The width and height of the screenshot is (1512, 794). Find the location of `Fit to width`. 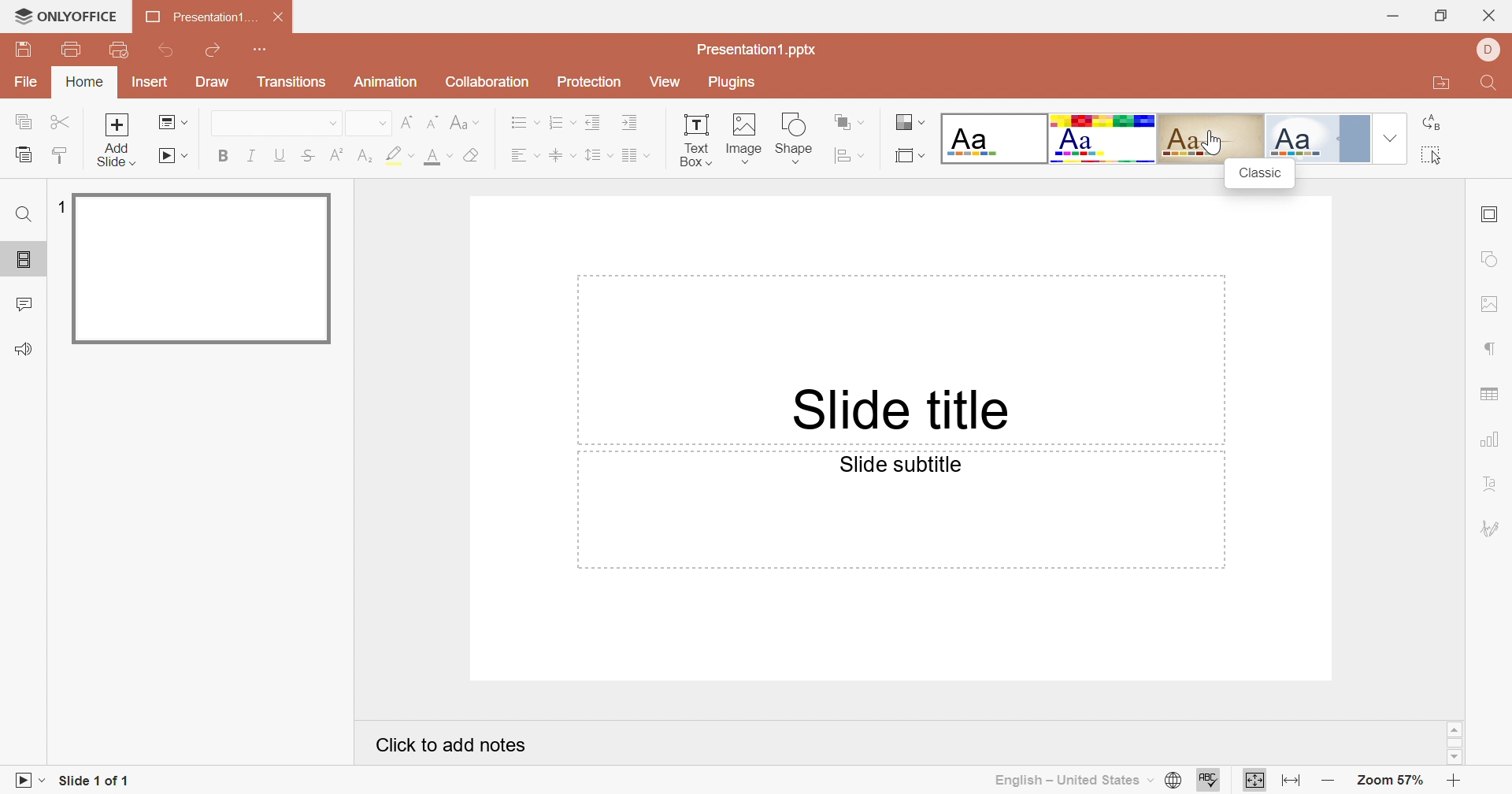

Fit to width is located at coordinates (1294, 781).